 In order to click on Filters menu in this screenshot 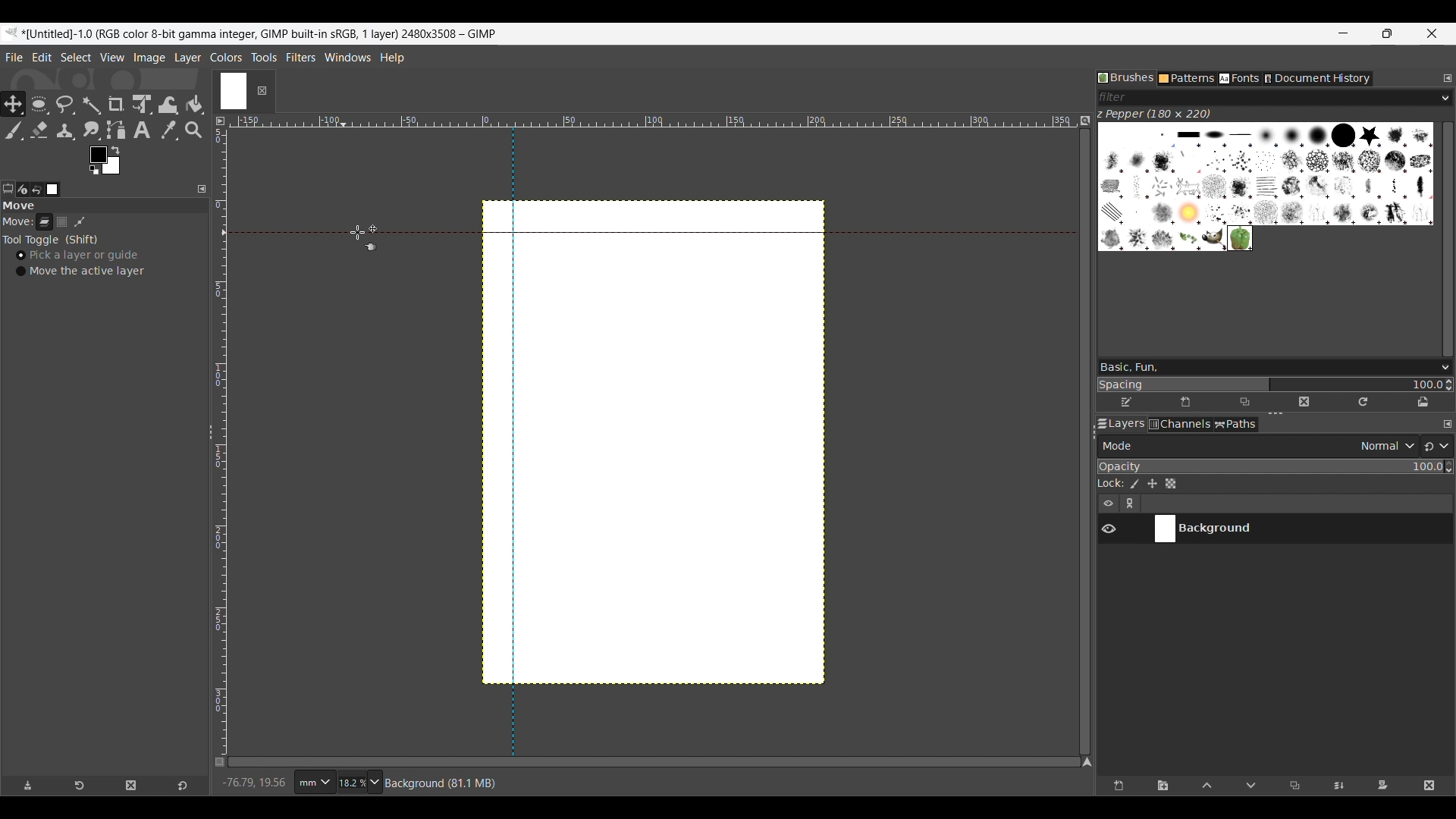, I will do `click(300, 57)`.